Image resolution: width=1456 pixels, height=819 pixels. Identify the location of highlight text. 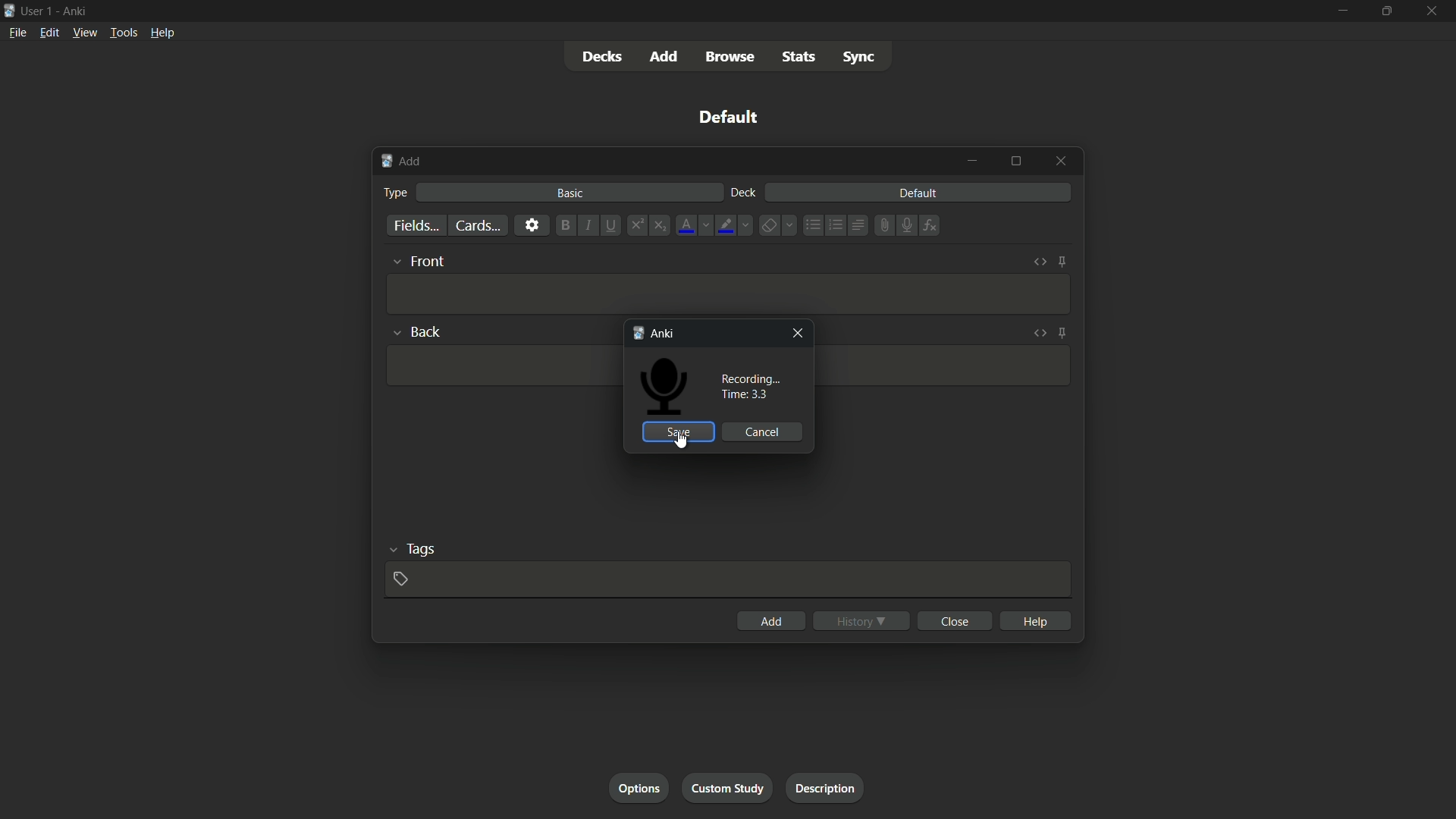
(725, 225).